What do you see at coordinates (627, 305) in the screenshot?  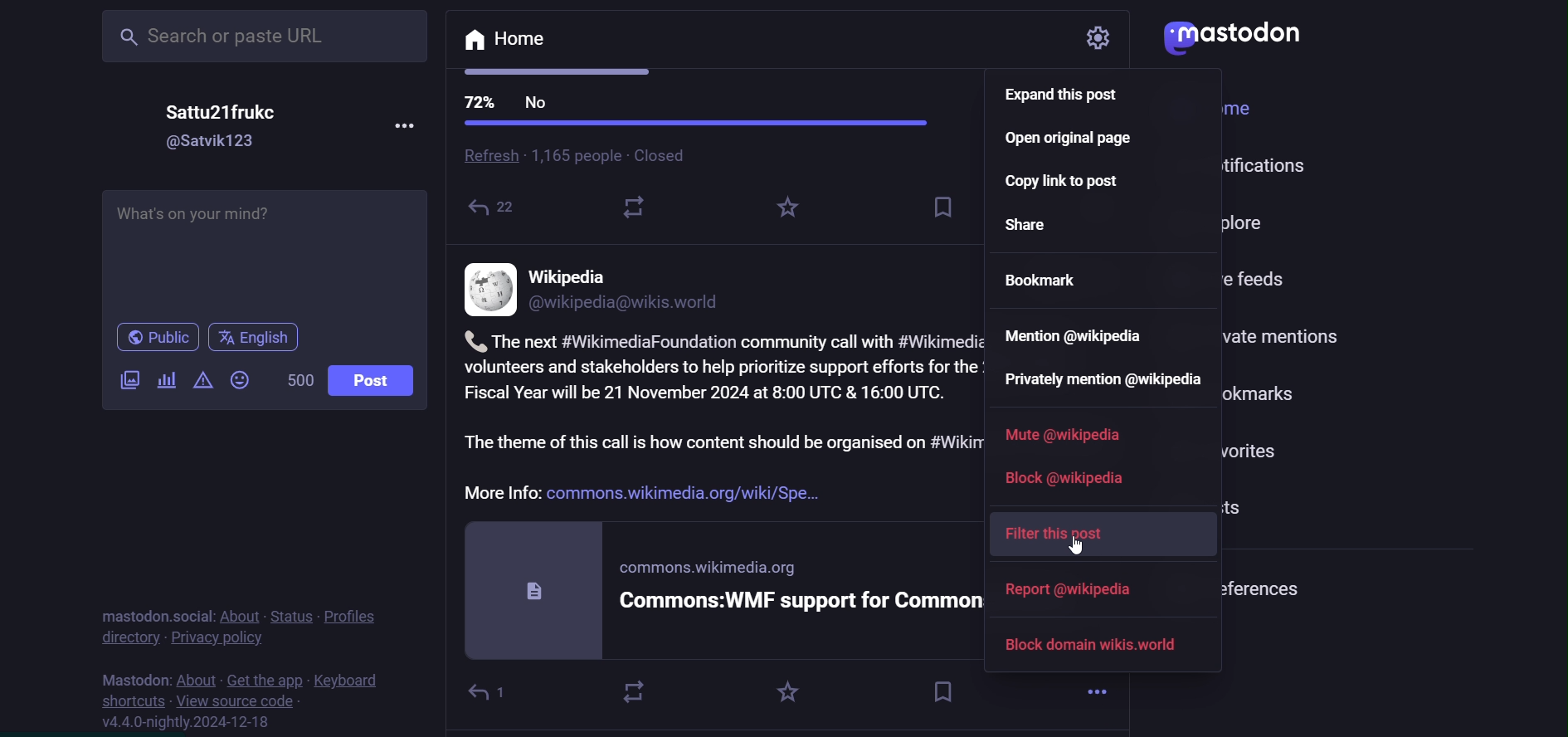 I see `id` at bounding box center [627, 305].